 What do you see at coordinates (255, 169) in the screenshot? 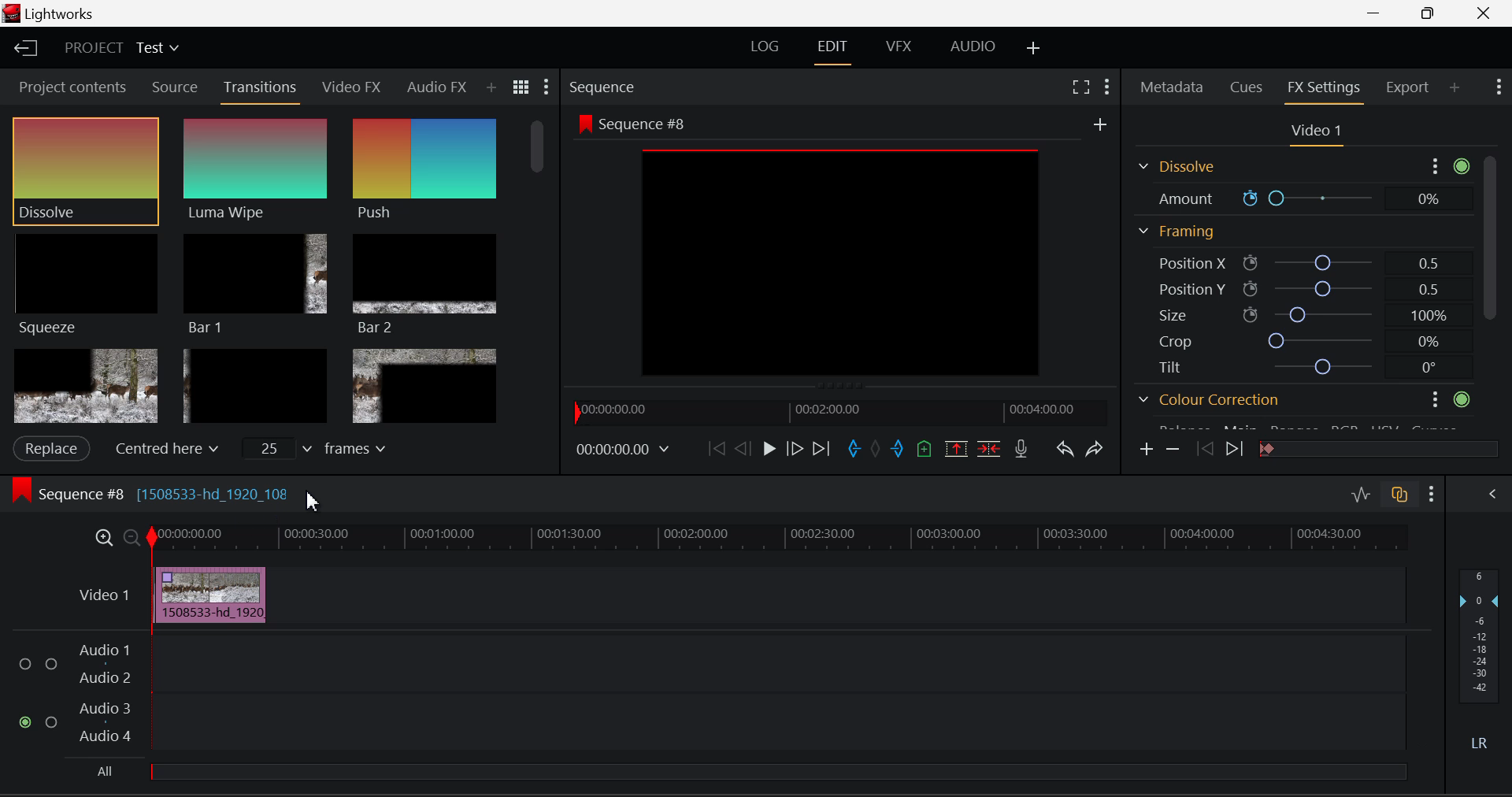
I see `Luma Wipe` at bounding box center [255, 169].